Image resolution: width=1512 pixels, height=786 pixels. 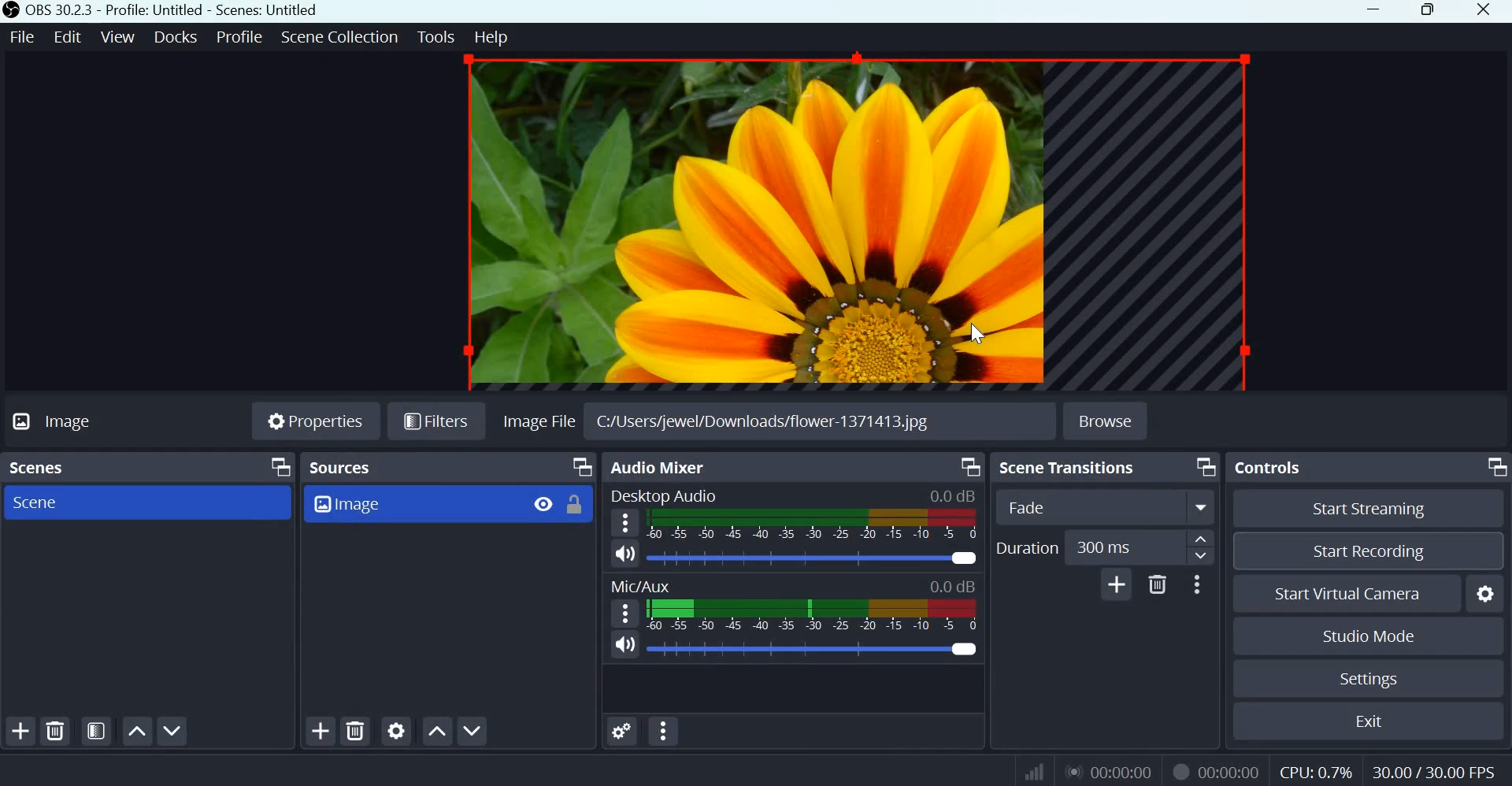 What do you see at coordinates (397, 729) in the screenshot?
I see `Open source properties` at bounding box center [397, 729].